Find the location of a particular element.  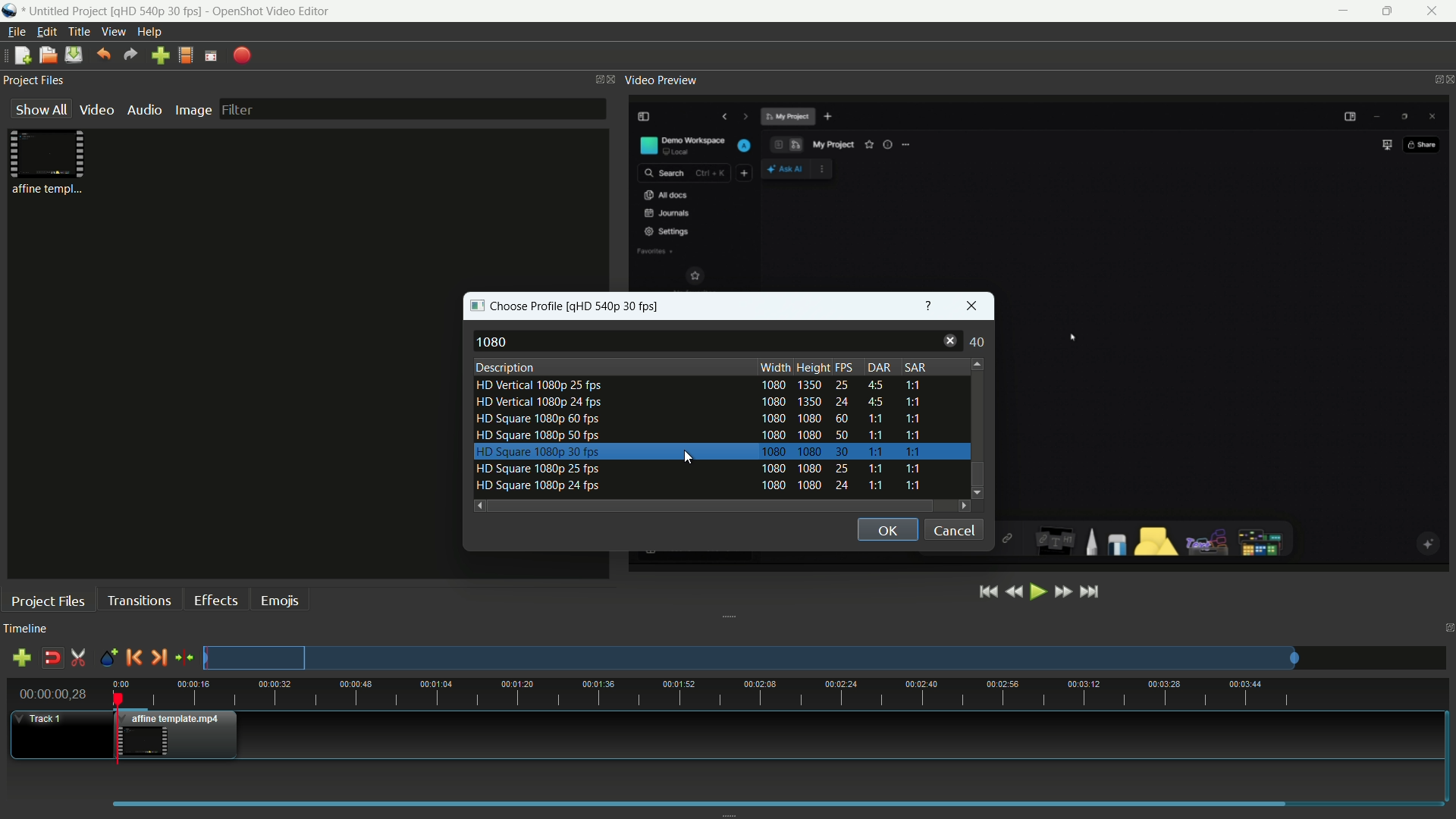

cancel is located at coordinates (954, 531).